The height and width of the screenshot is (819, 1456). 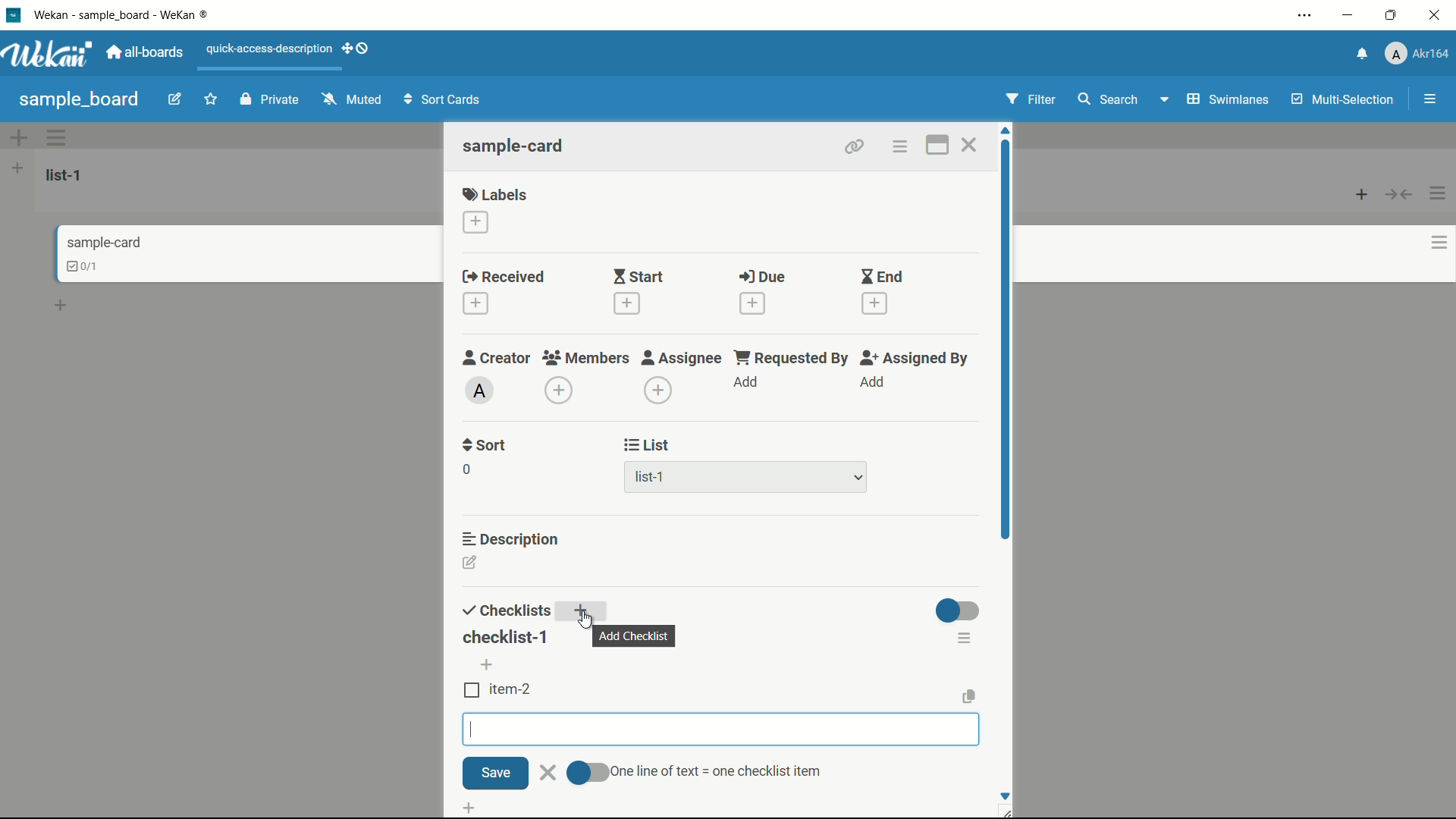 I want to click on show-desktop-drag-handles, so click(x=358, y=47).